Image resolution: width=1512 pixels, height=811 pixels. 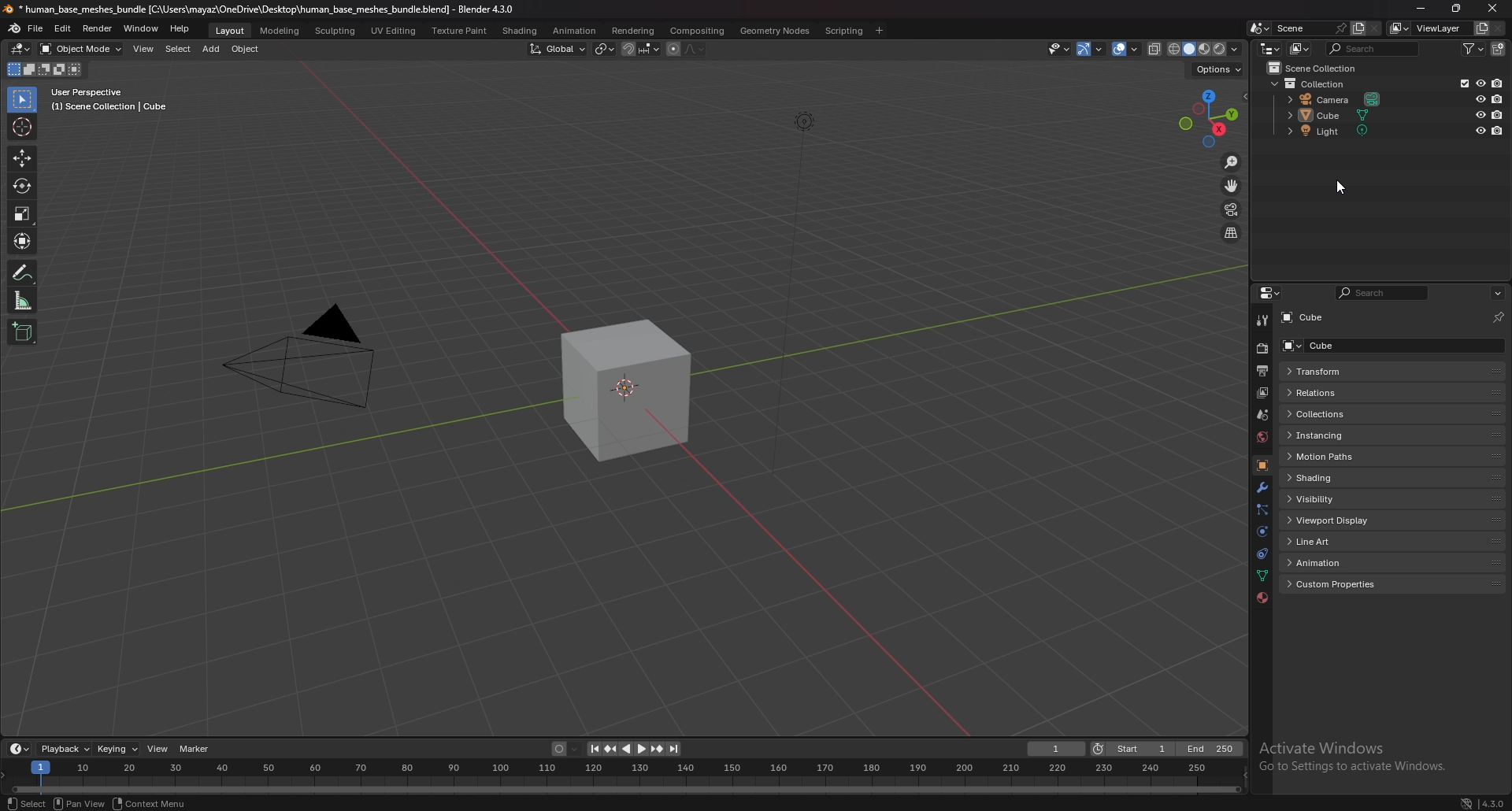 What do you see at coordinates (281, 31) in the screenshot?
I see `modeling` at bounding box center [281, 31].